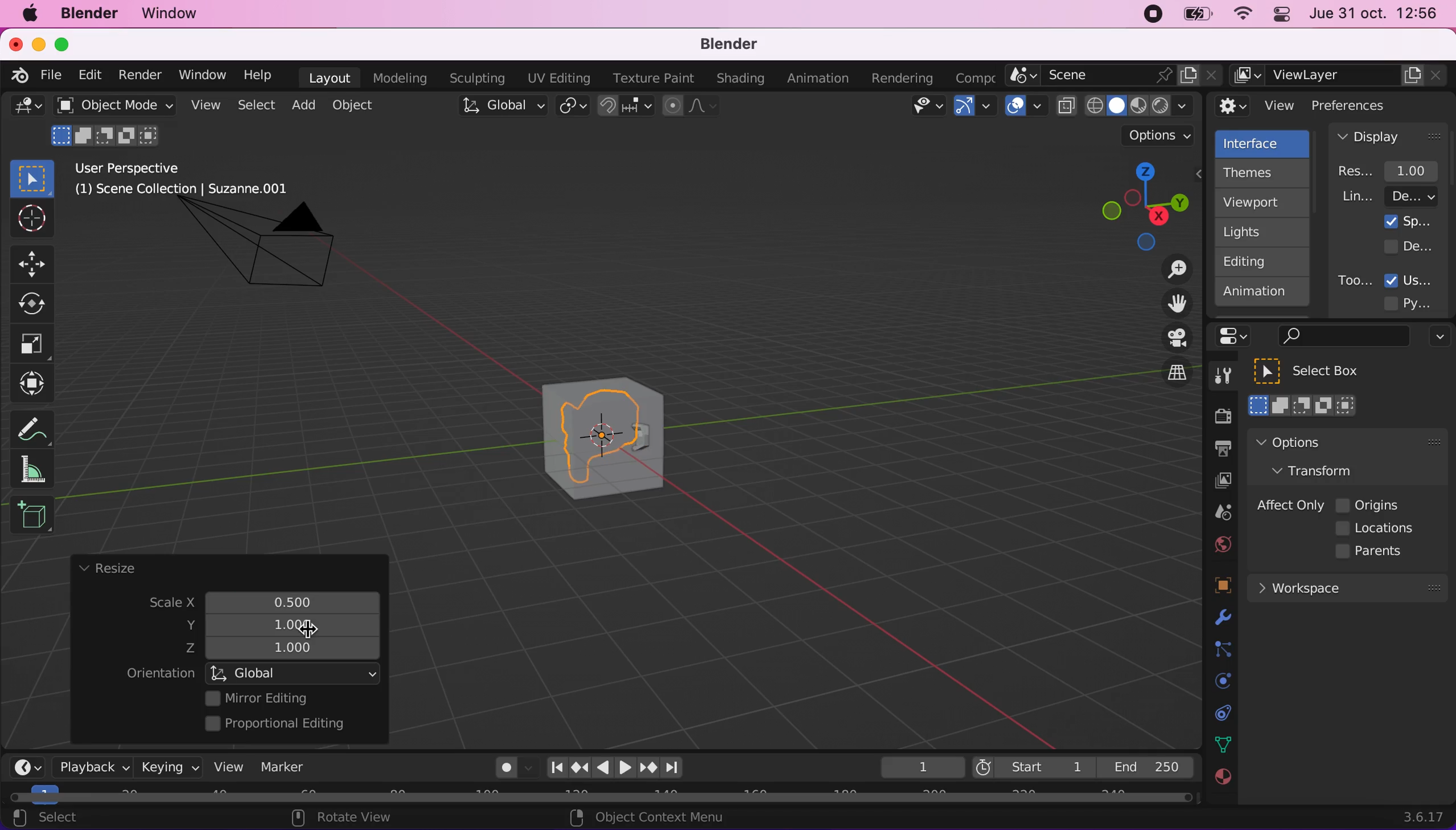 The height and width of the screenshot is (830, 1456). I want to click on minimize, so click(36, 43).